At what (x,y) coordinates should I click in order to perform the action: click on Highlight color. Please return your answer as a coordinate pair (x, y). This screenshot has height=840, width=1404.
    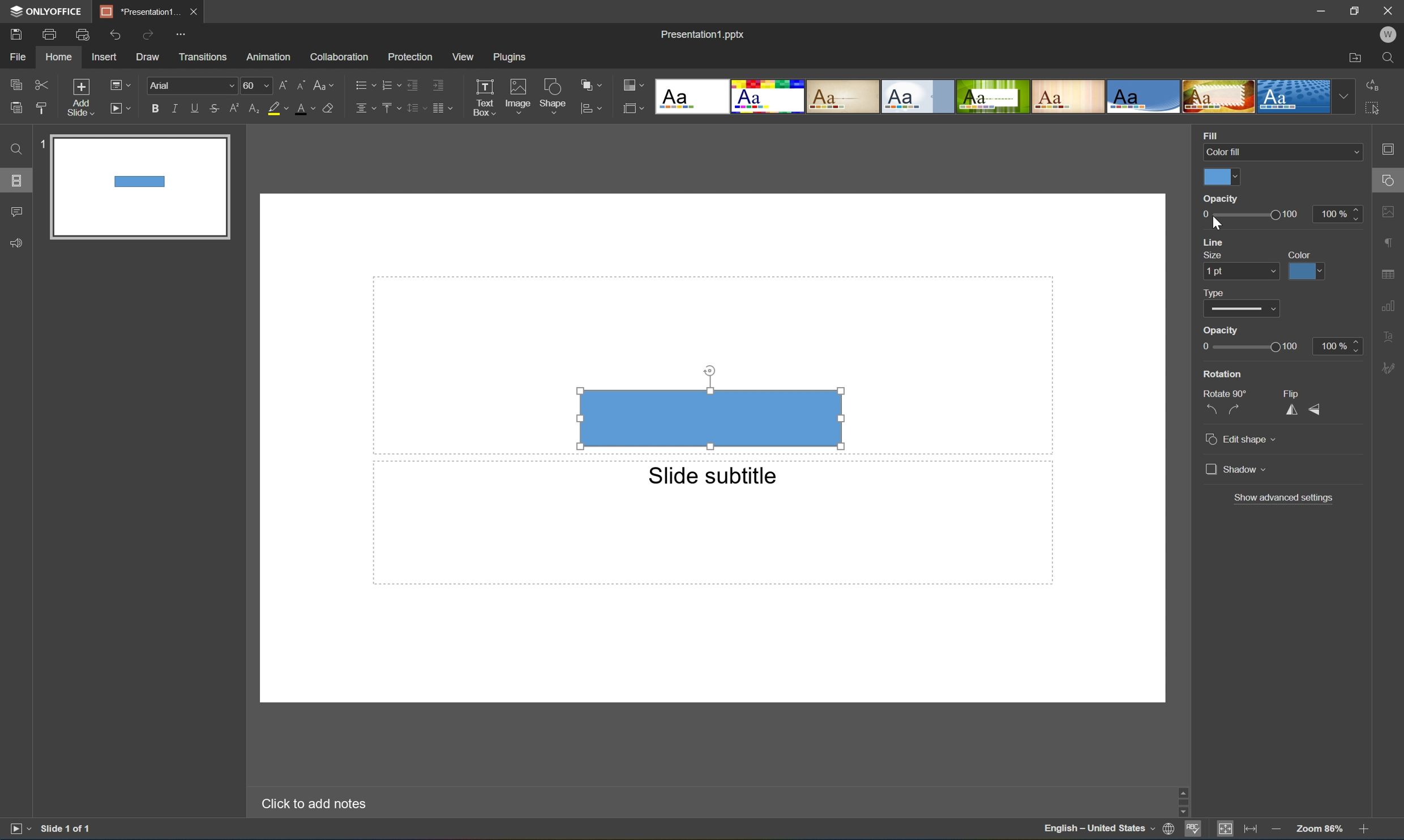
    Looking at the image, I should click on (282, 109).